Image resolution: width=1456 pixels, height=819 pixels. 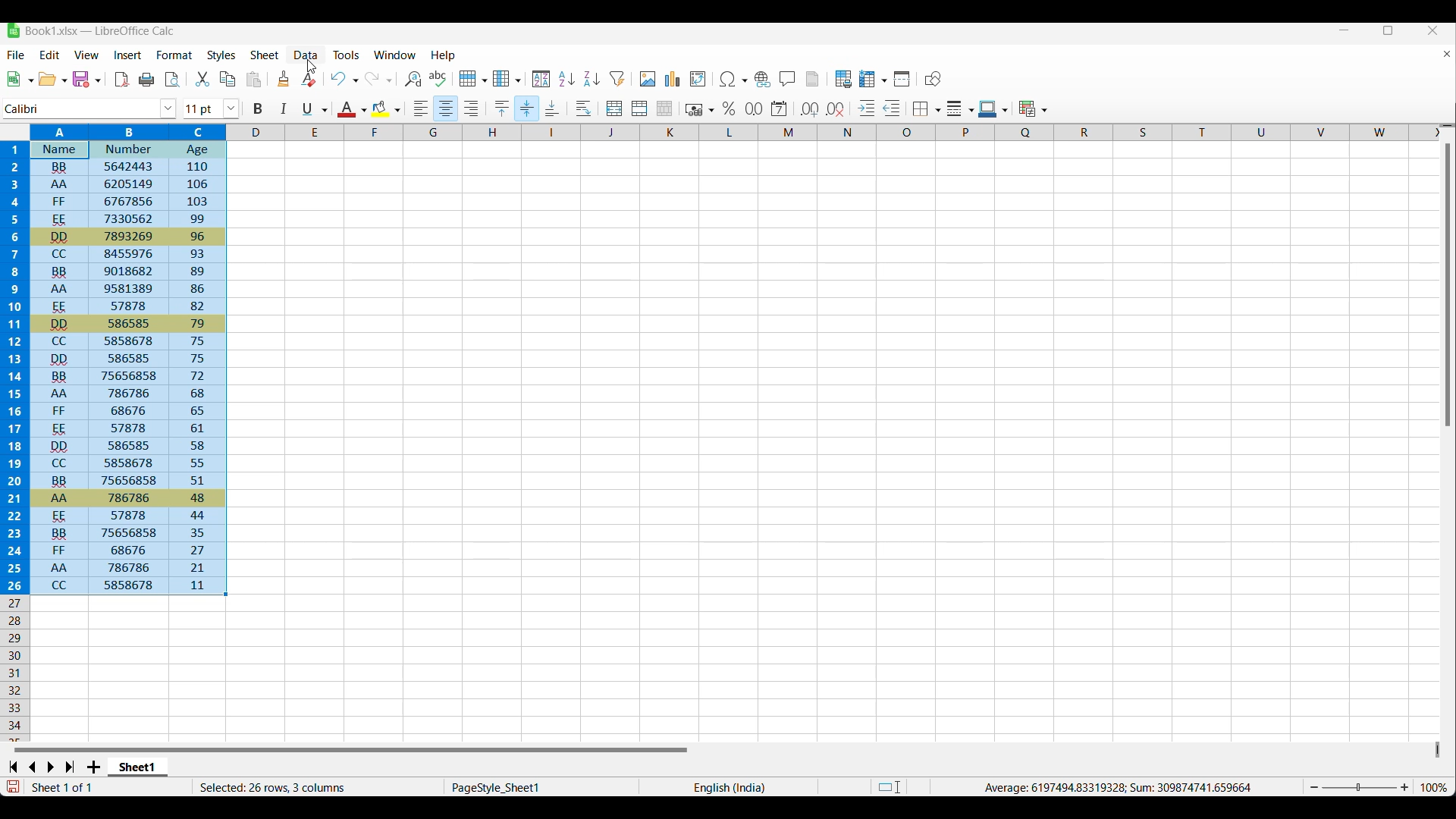 I want to click on Vertical slide bar, so click(x=1448, y=285).